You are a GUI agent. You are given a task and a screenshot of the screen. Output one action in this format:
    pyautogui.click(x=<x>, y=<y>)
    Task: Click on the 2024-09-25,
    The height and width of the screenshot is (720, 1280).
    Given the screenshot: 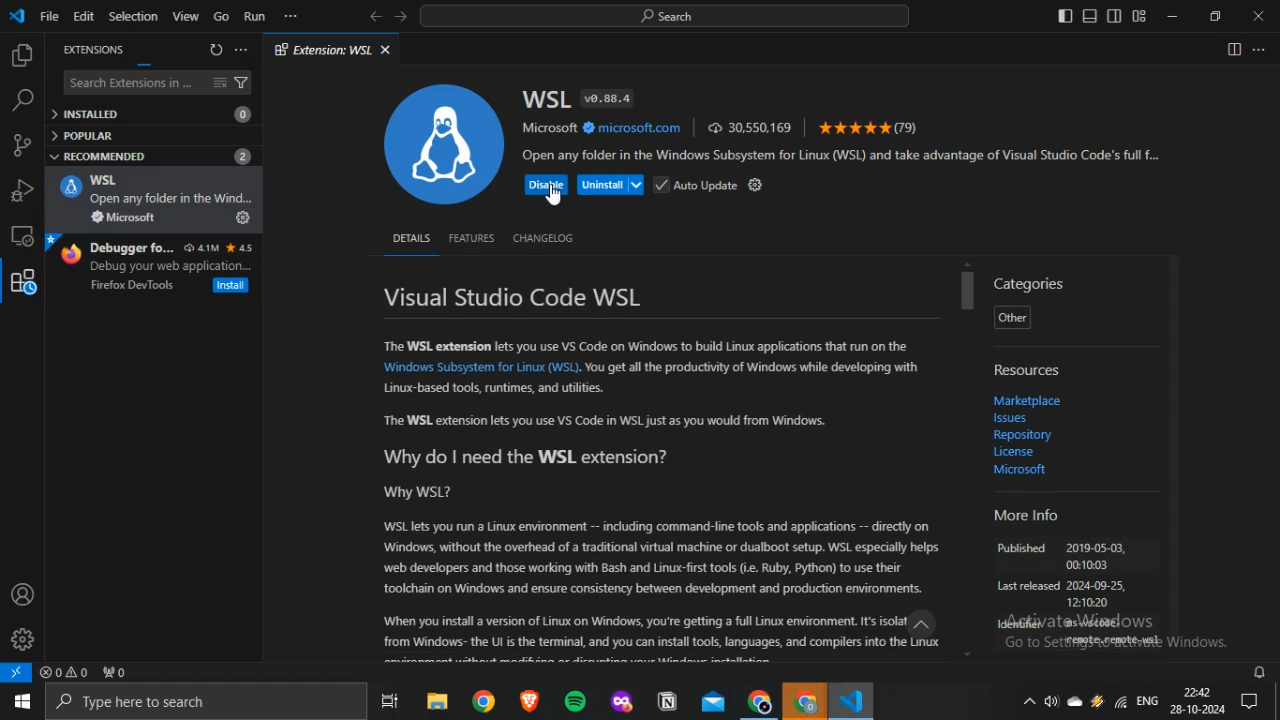 What is the action you would take?
    pyautogui.click(x=1098, y=586)
    